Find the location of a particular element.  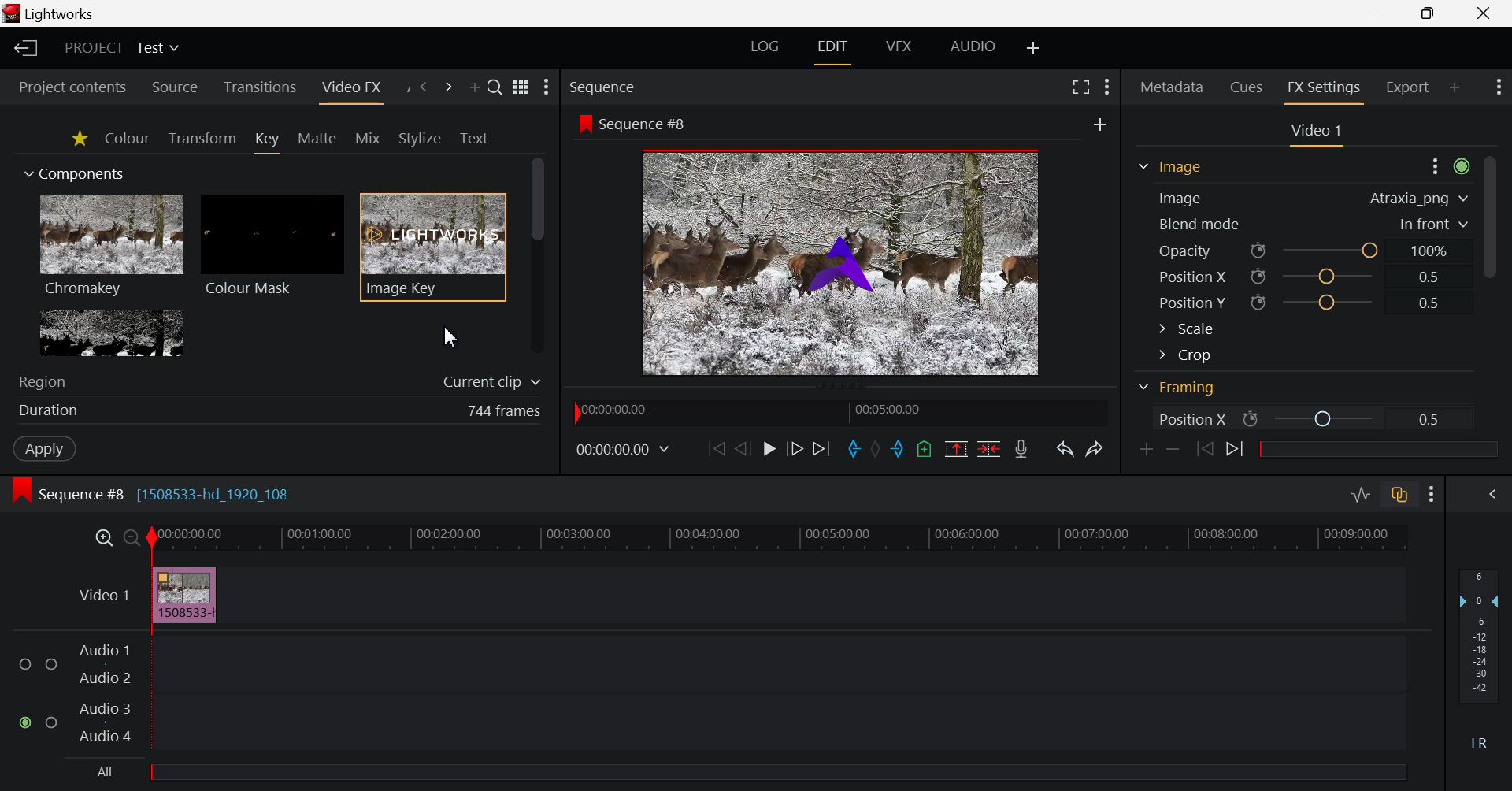

Video Layer is located at coordinates (98, 597).